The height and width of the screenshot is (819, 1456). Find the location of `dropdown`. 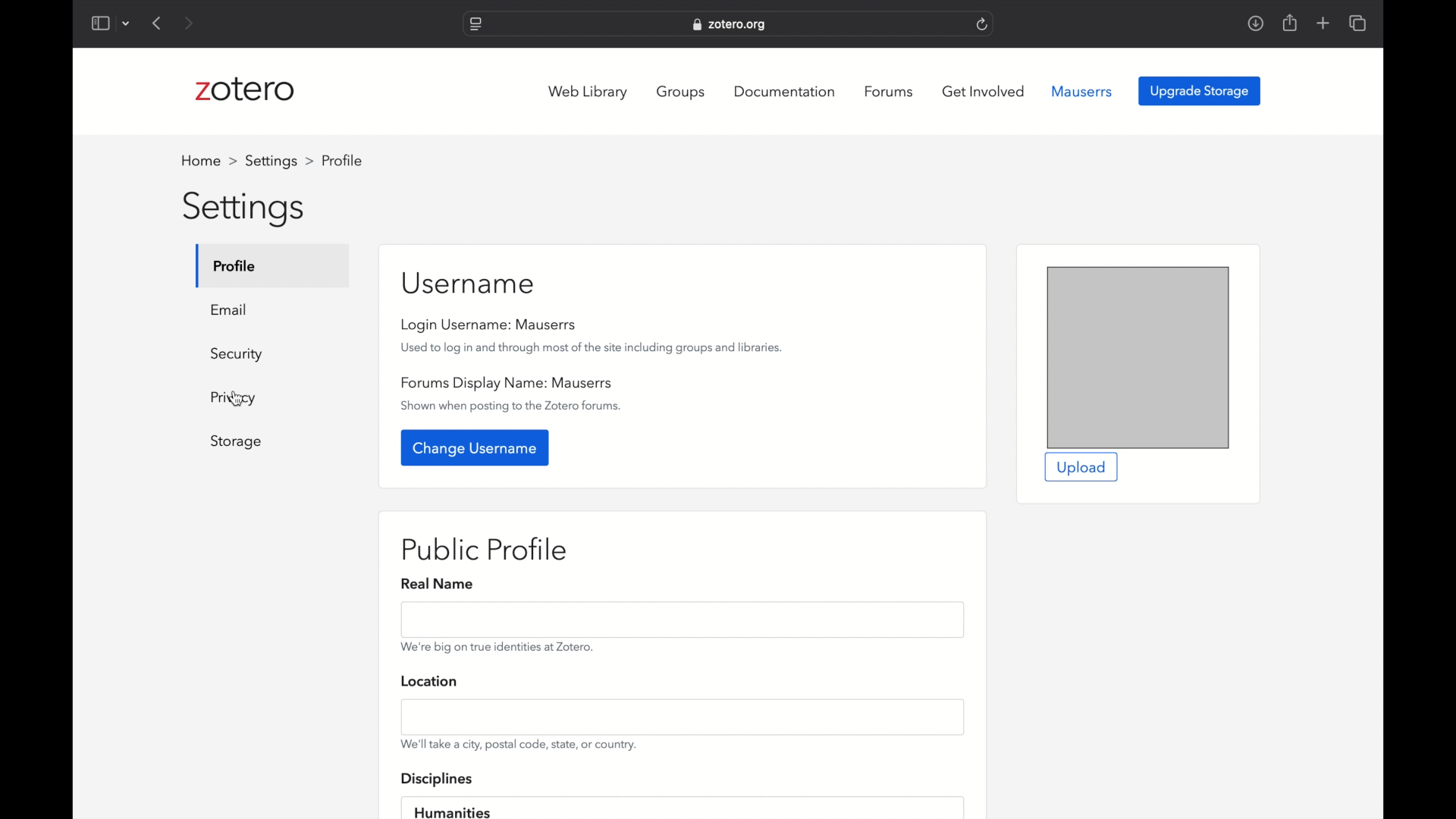

dropdown is located at coordinates (128, 23).